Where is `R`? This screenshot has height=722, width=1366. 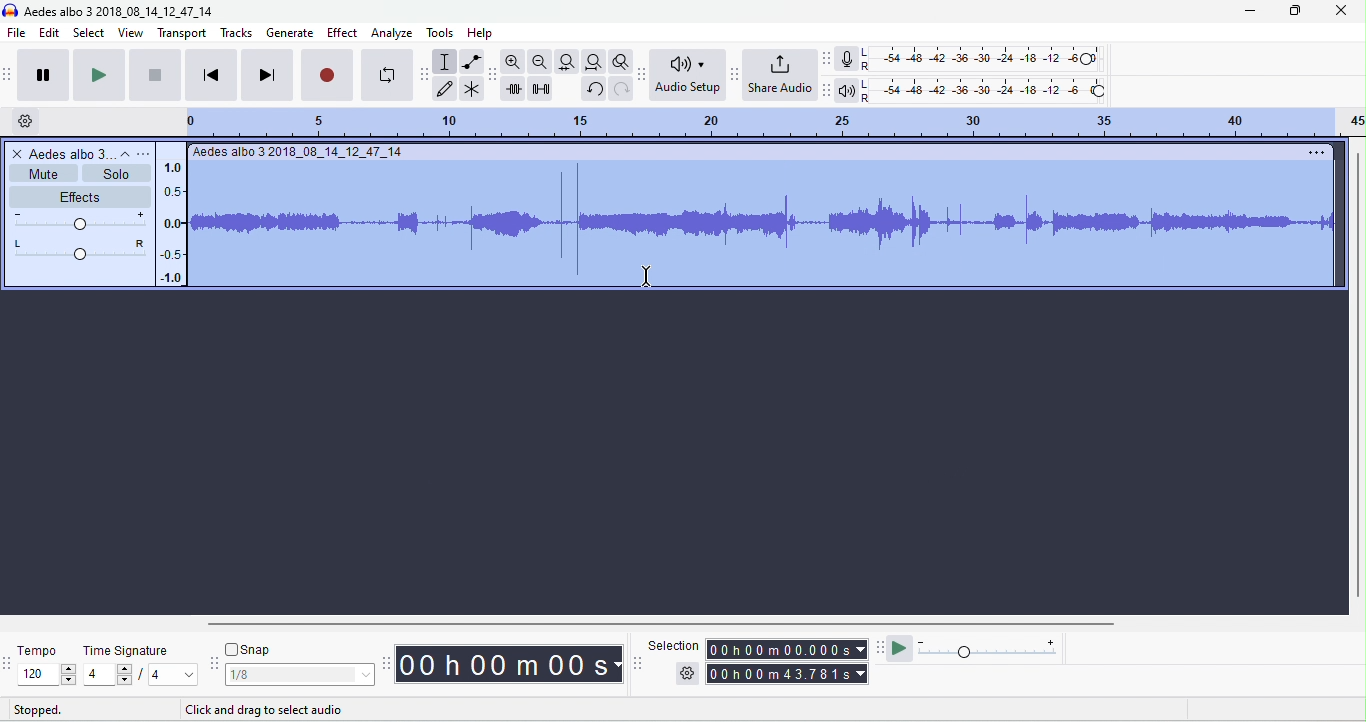 R is located at coordinates (867, 98).